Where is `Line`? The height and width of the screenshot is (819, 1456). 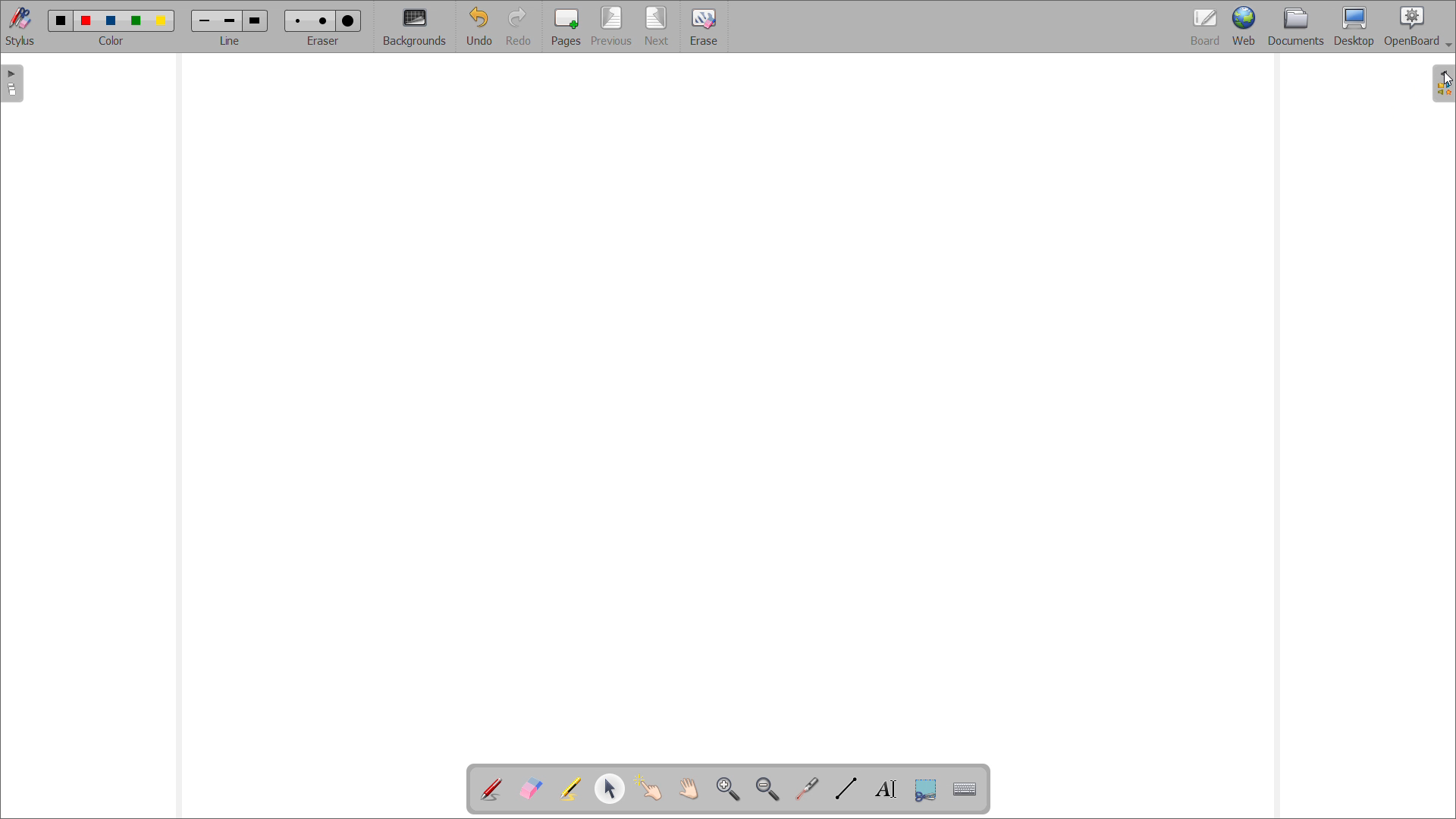
Line is located at coordinates (231, 41).